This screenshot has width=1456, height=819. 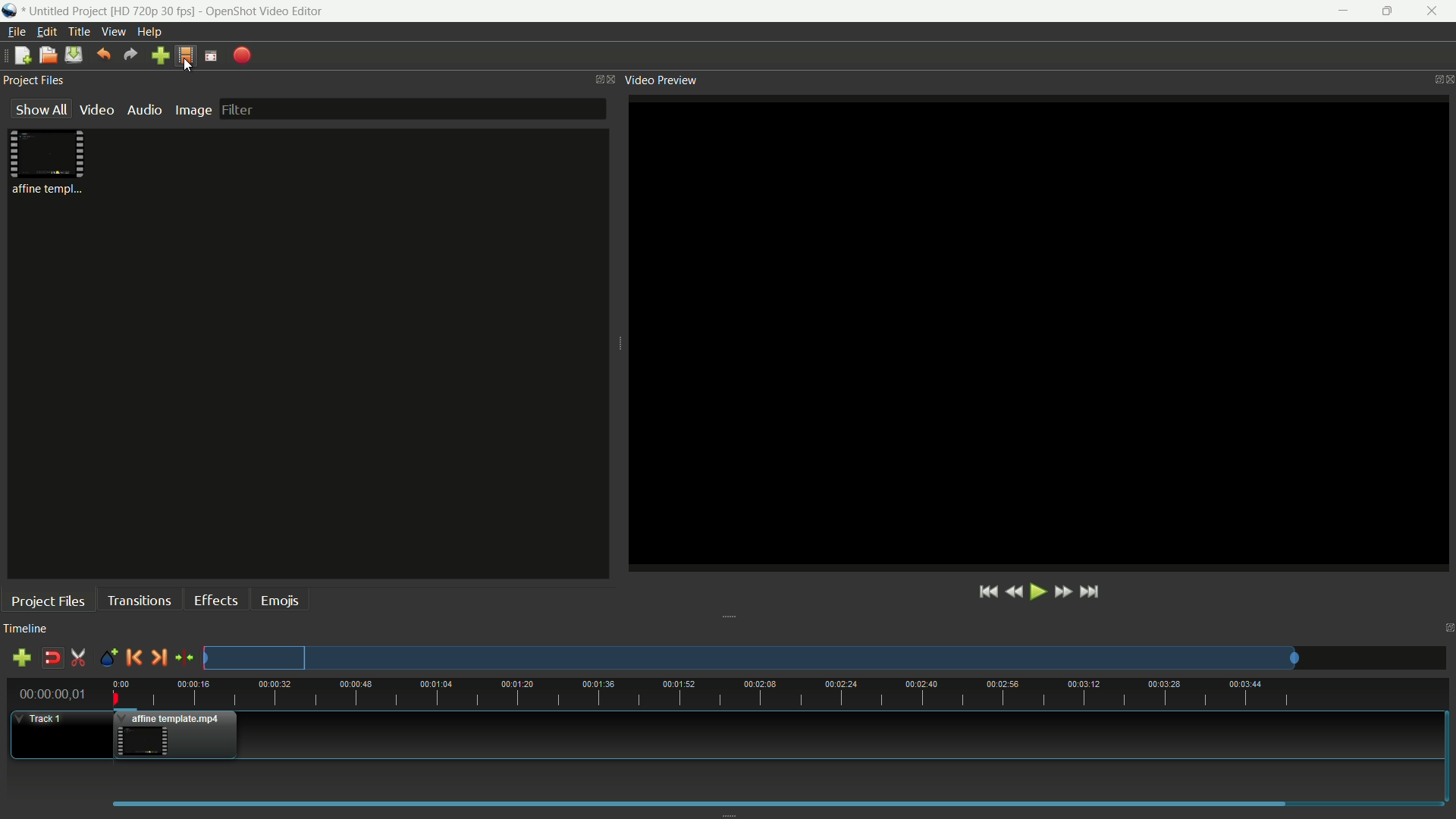 What do you see at coordinates (115, 31) in the screenshot?
I see `view menu` at bounding box center [115, 31].